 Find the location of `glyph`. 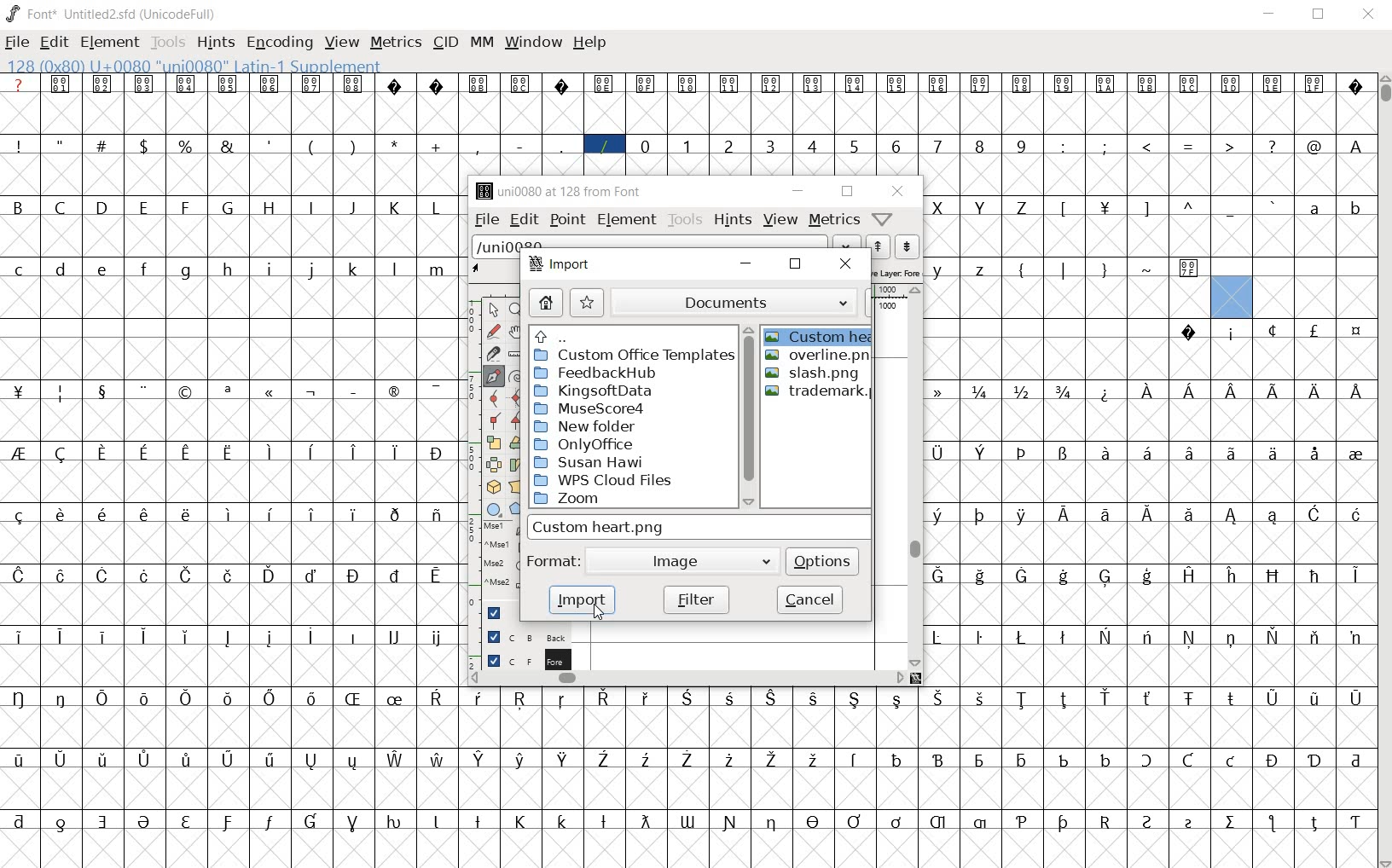

glyph is located at coordinates (354, 84).